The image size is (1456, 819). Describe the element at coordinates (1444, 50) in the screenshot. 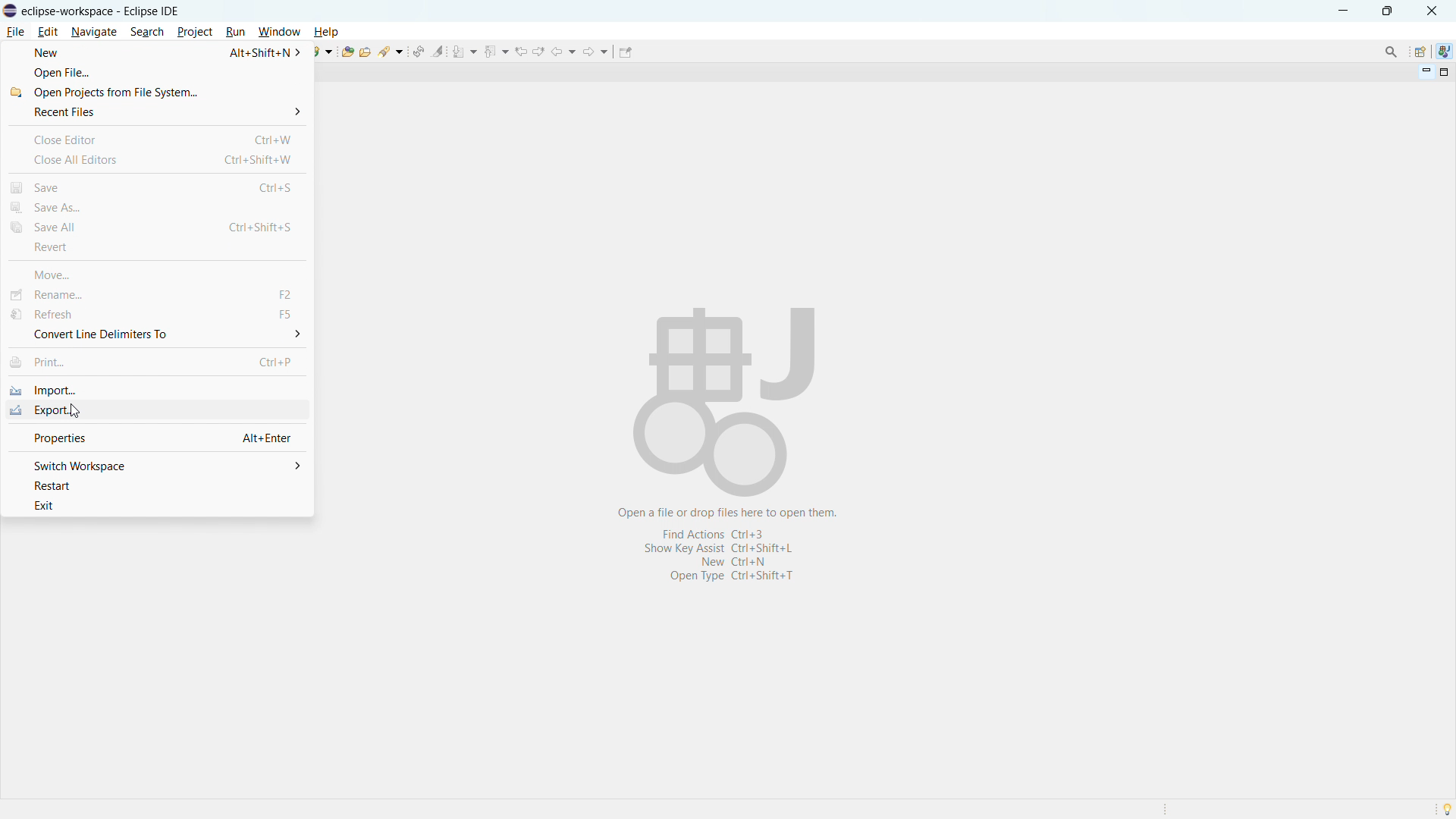

I see `java` at that location.